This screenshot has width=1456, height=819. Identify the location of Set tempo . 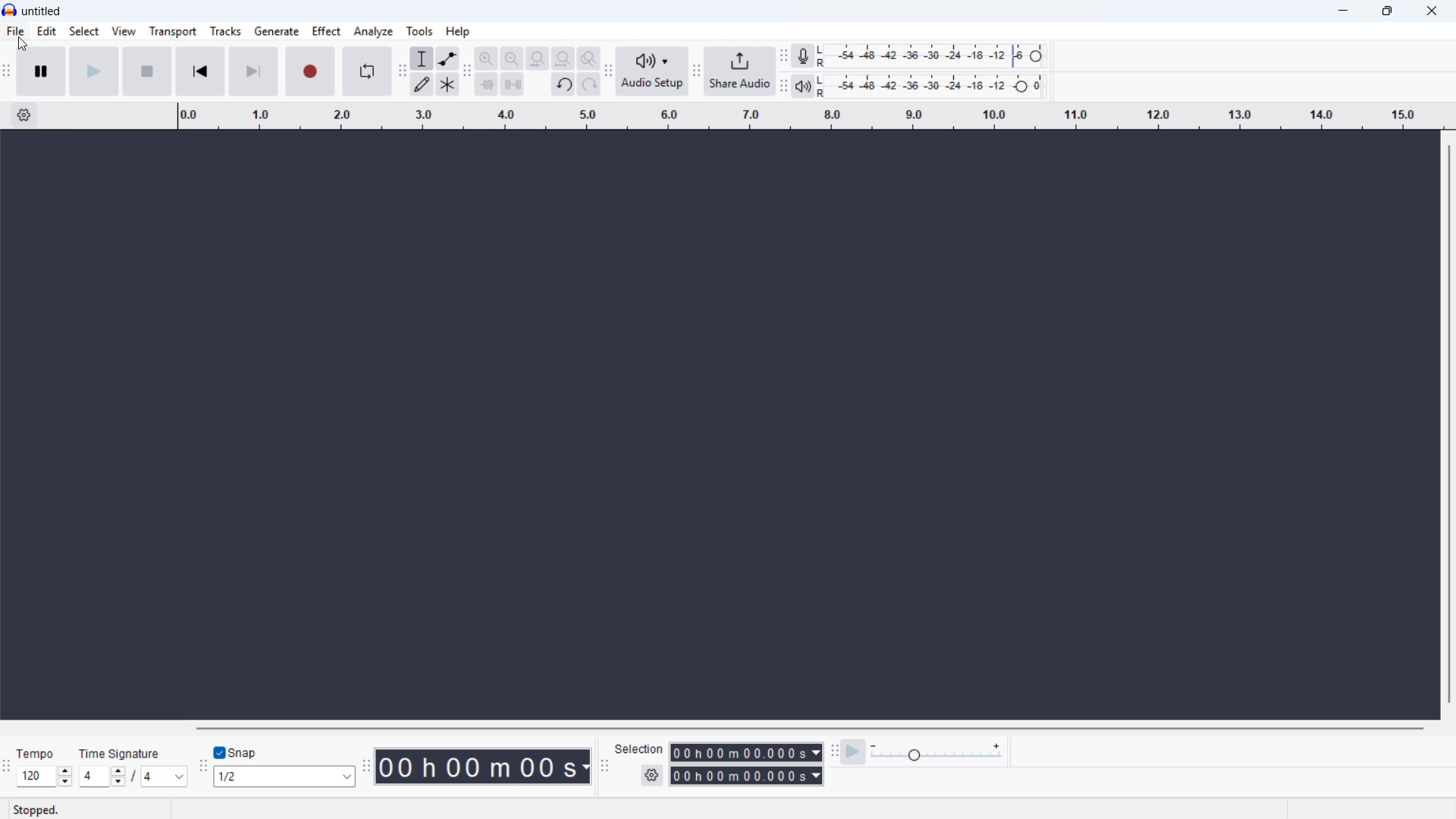
(44, 777).